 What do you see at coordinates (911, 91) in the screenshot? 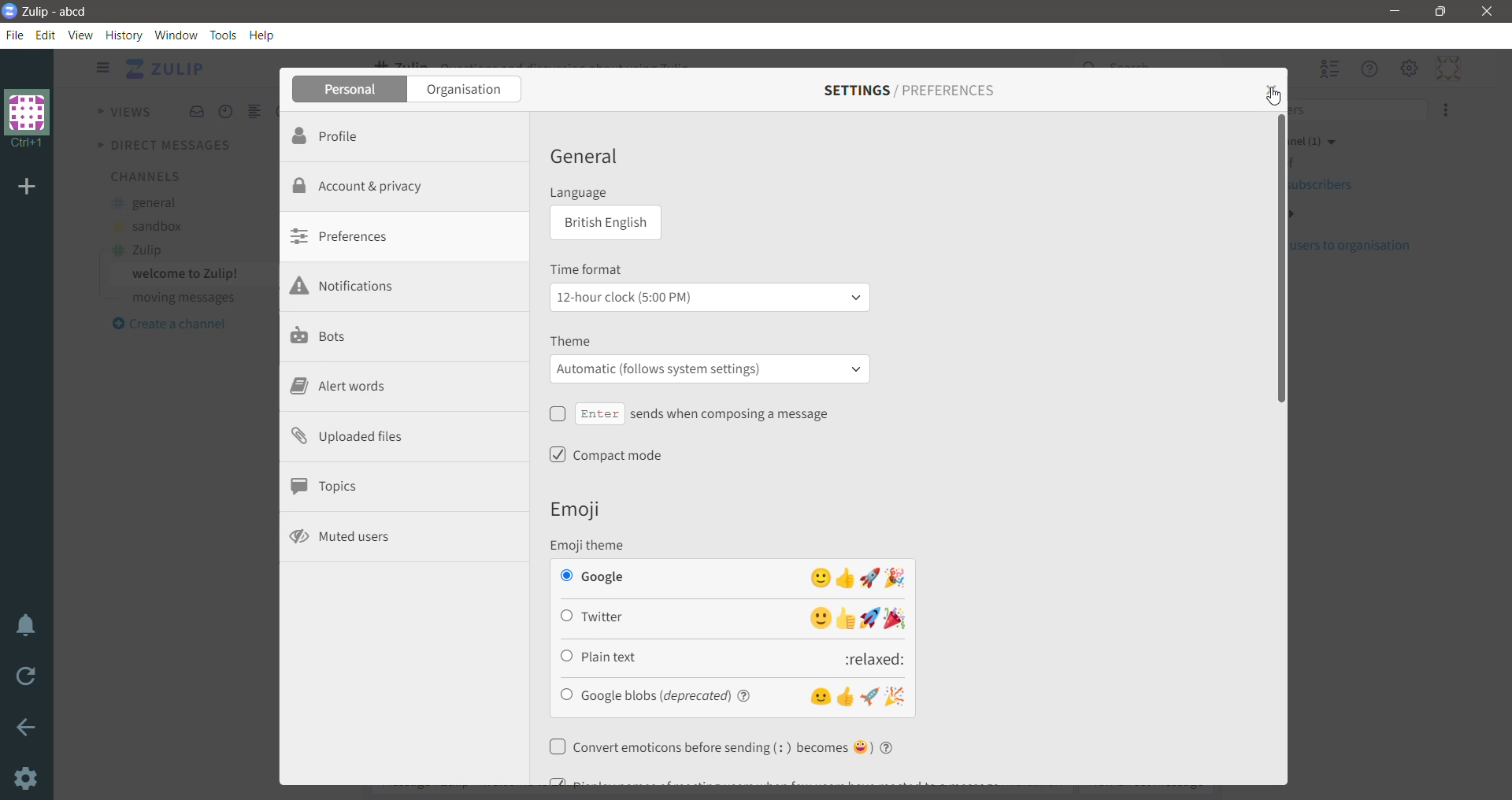
I see `Settings/Preferences` at bounding box center [911, 91].